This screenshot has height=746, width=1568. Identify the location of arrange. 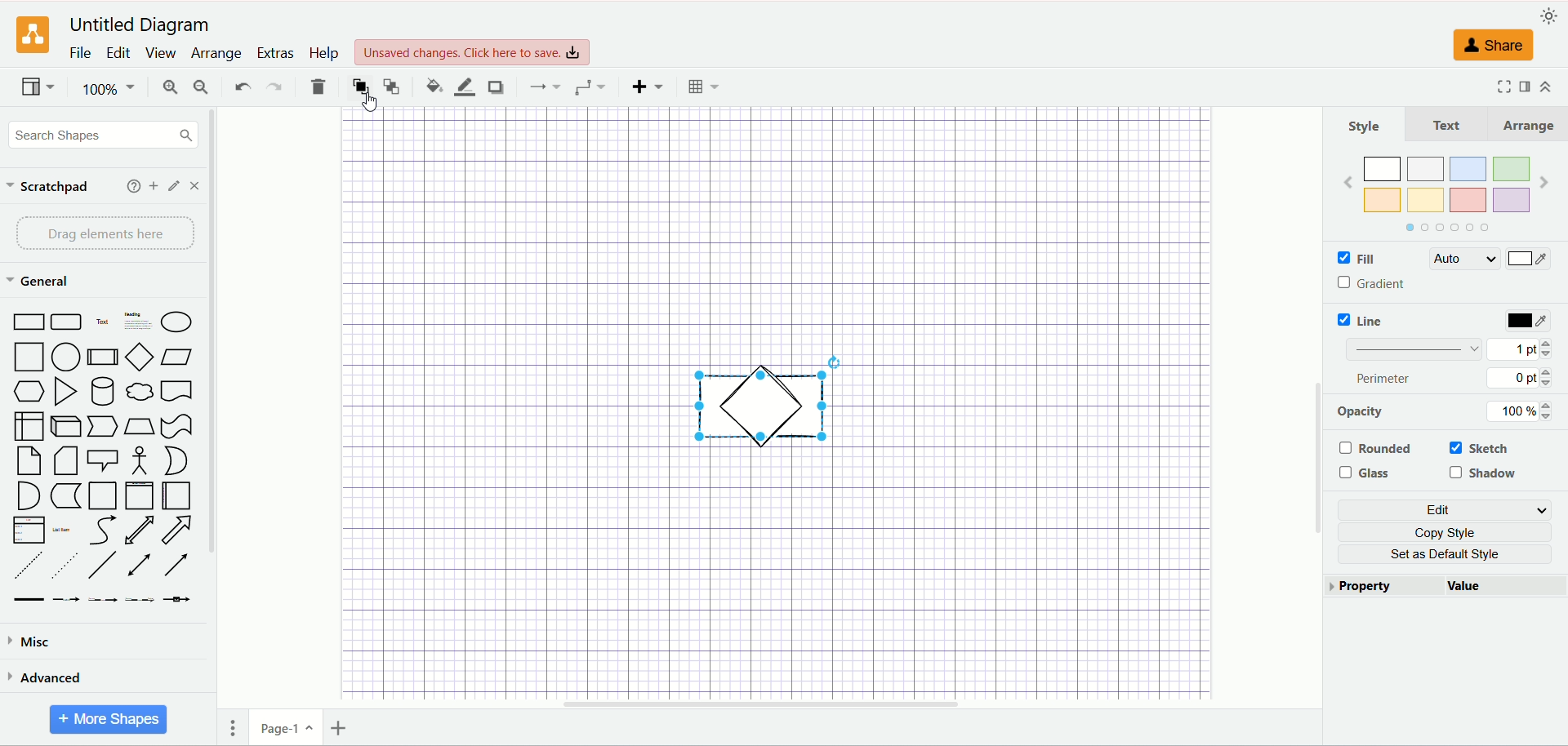
(216, 54).